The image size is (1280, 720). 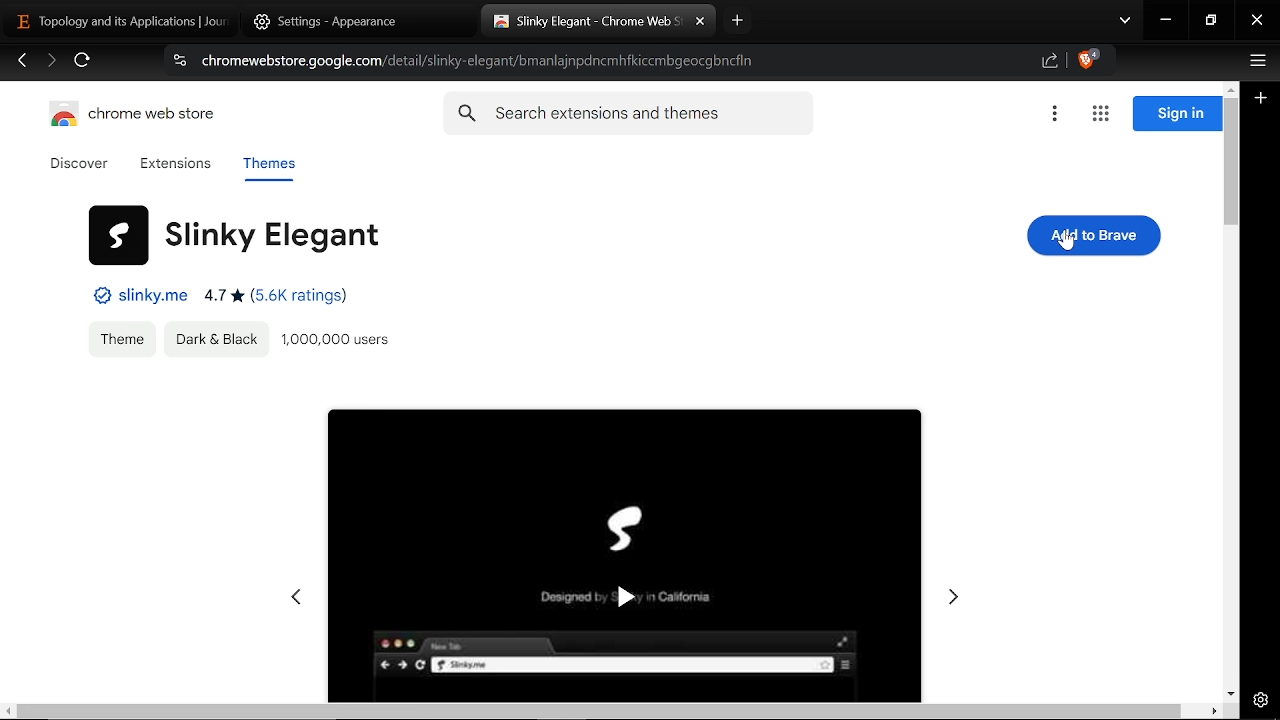 What do you see at coordinates (597, 711) in the screenshot?
I see `scroll bar` at bounding box center [597, 711].